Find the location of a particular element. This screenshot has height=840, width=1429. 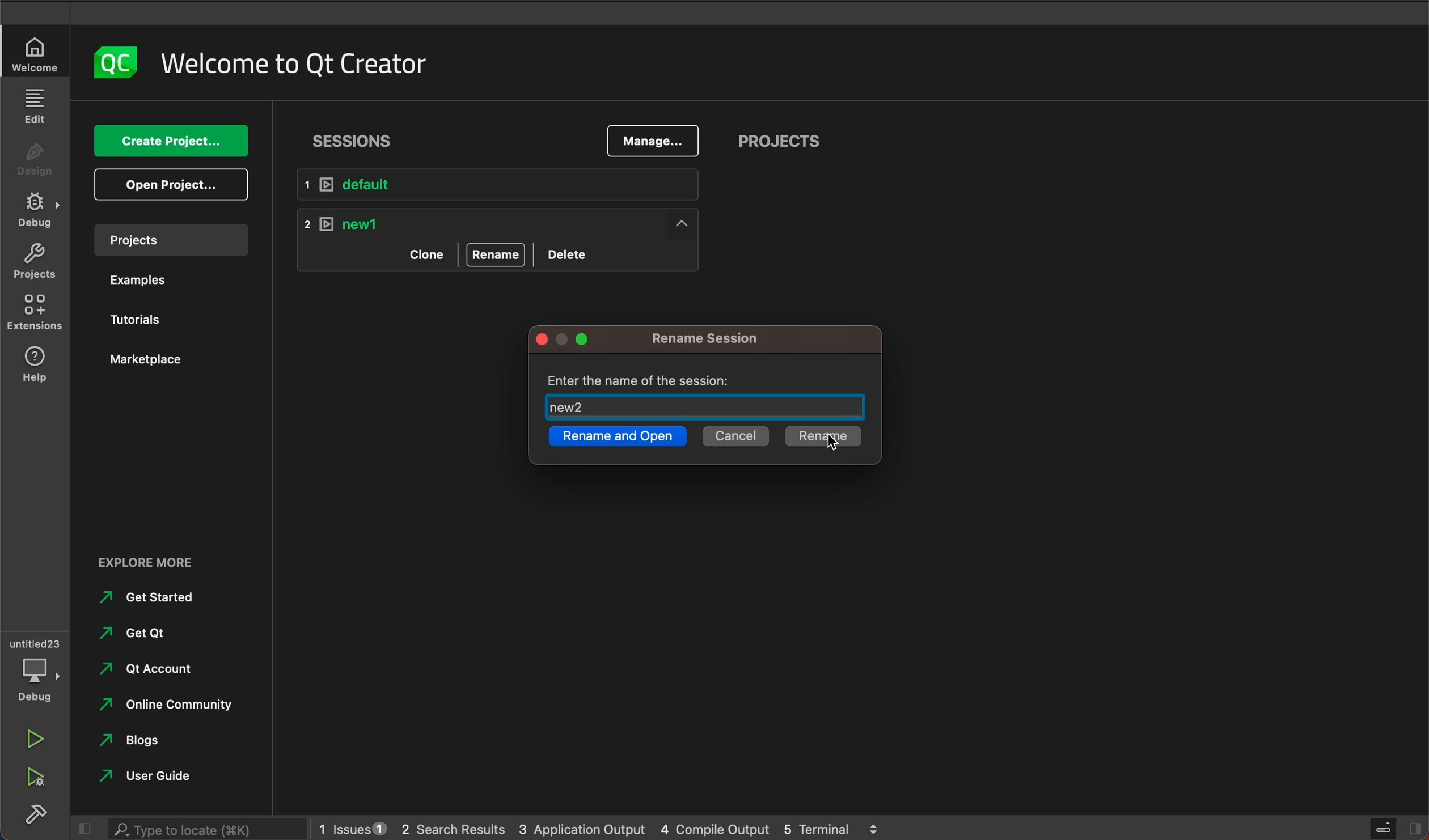

windows control is located at coordinates (569, 340).